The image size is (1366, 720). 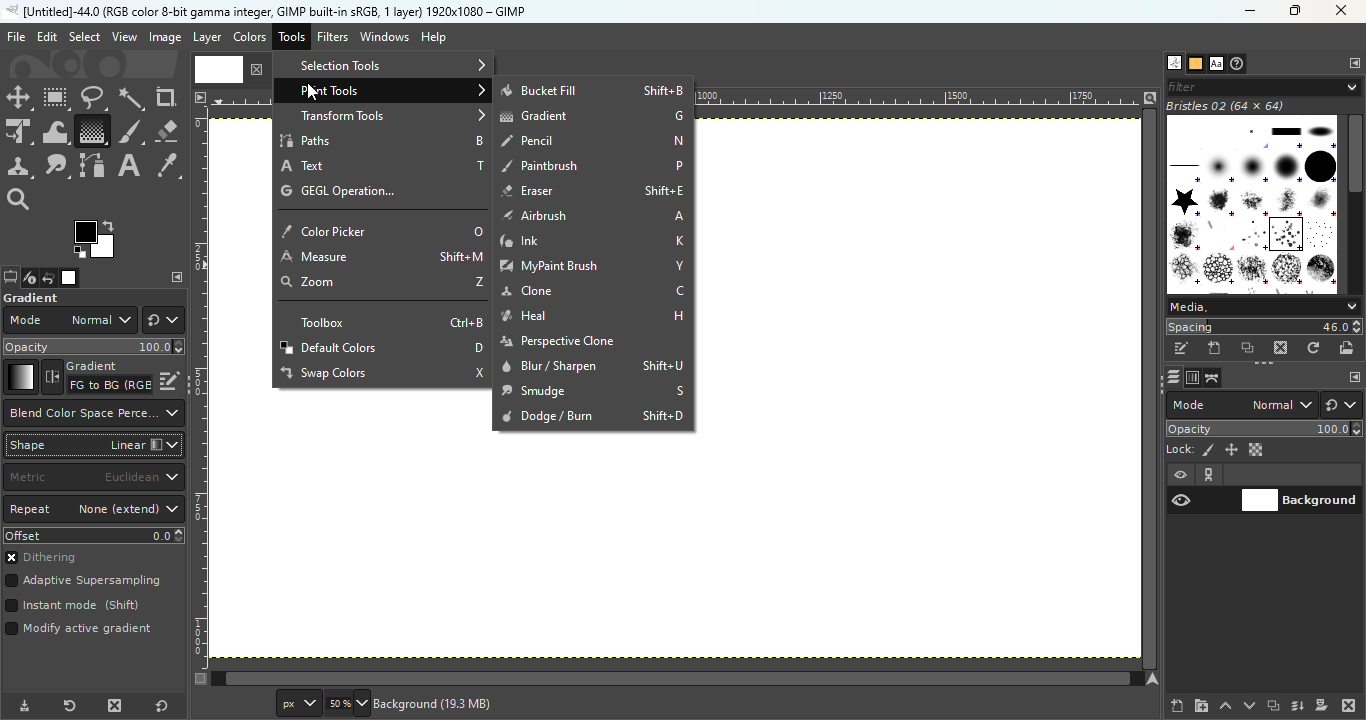 I want to click on View, so click(x=125, y=37).